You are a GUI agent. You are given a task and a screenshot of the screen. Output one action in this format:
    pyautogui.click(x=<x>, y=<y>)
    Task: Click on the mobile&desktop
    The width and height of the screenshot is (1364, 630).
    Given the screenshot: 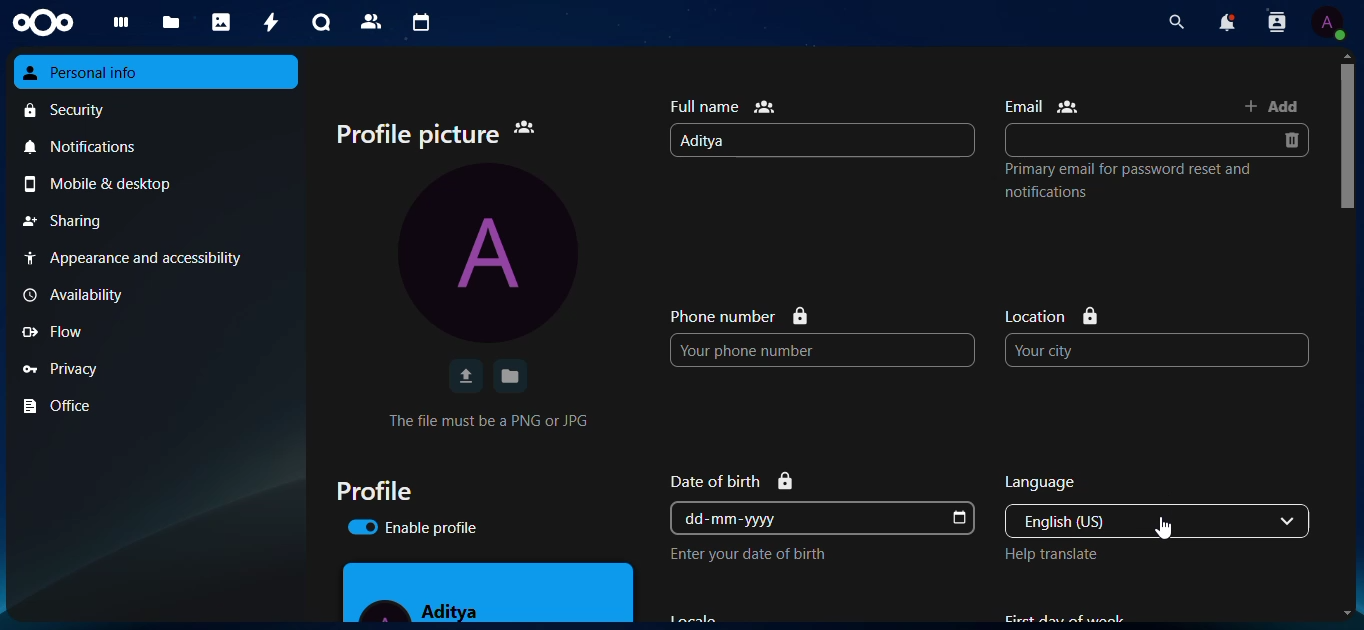 What is the action you would take?
    pyautogui.click(x=112, y=185)
    